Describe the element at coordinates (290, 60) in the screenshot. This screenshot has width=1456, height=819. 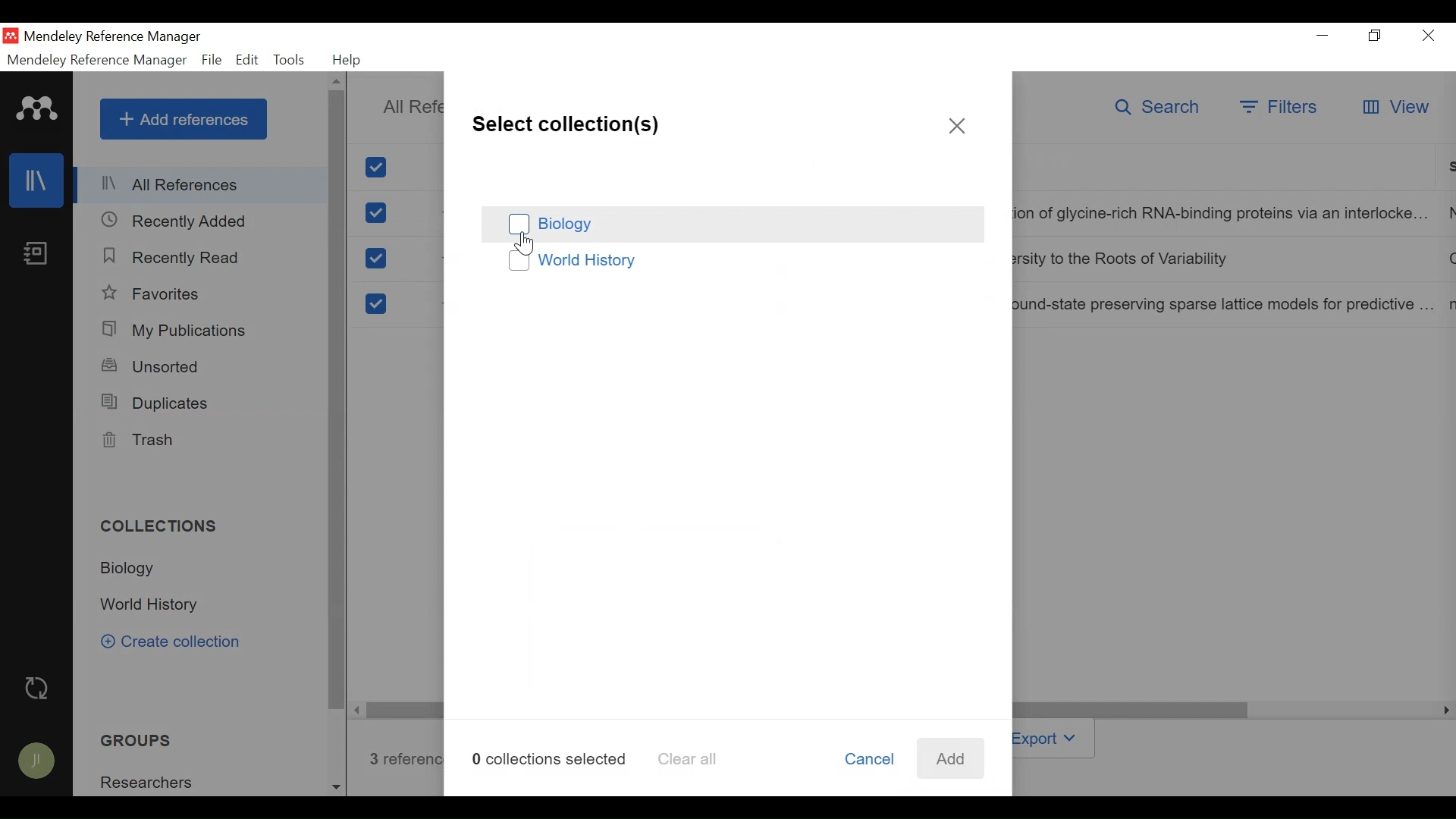
I see `Tools` at that location.